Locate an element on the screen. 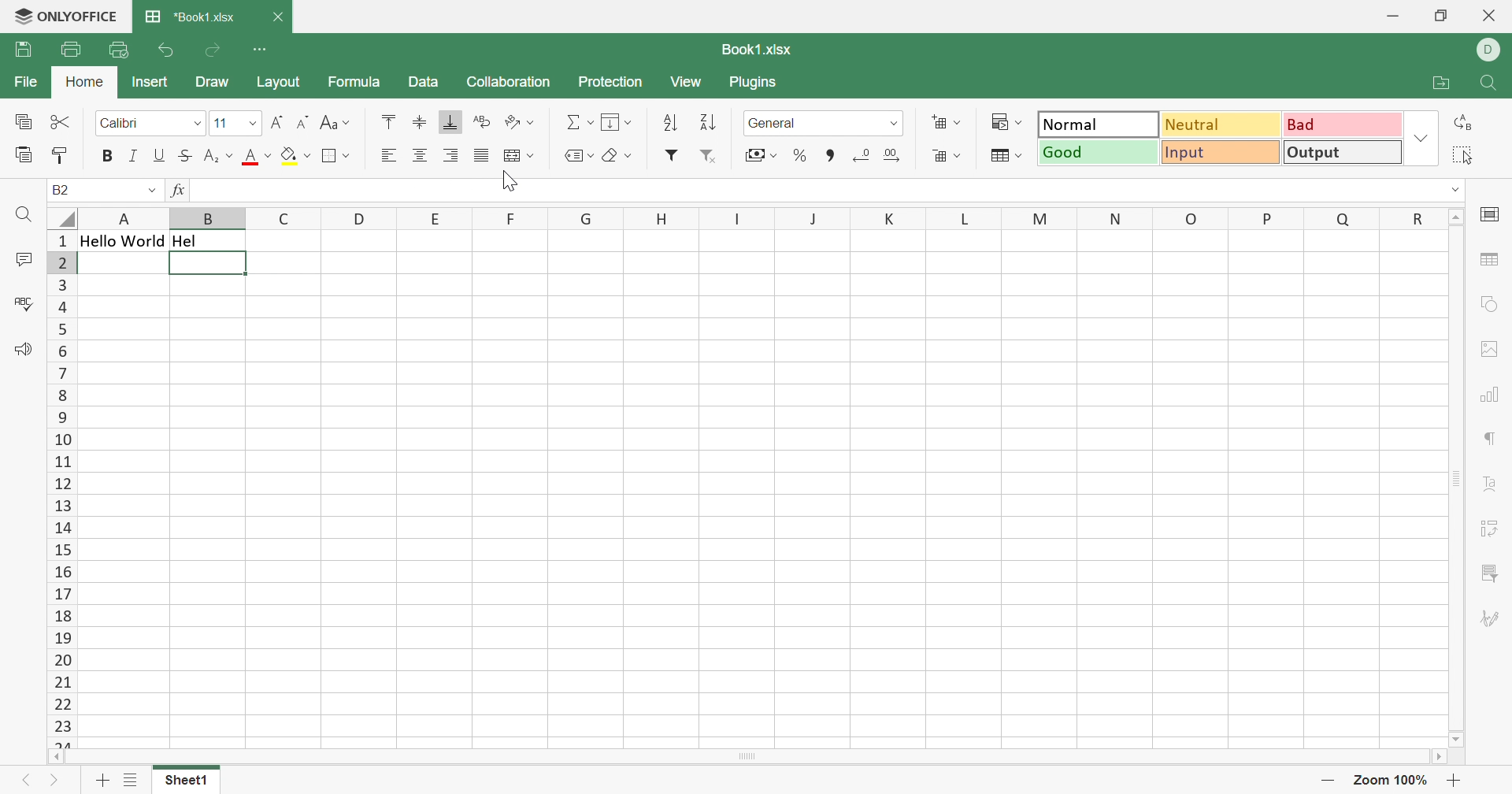 The image size is (1512, 794). Input is located at coordinates (1220, 150).